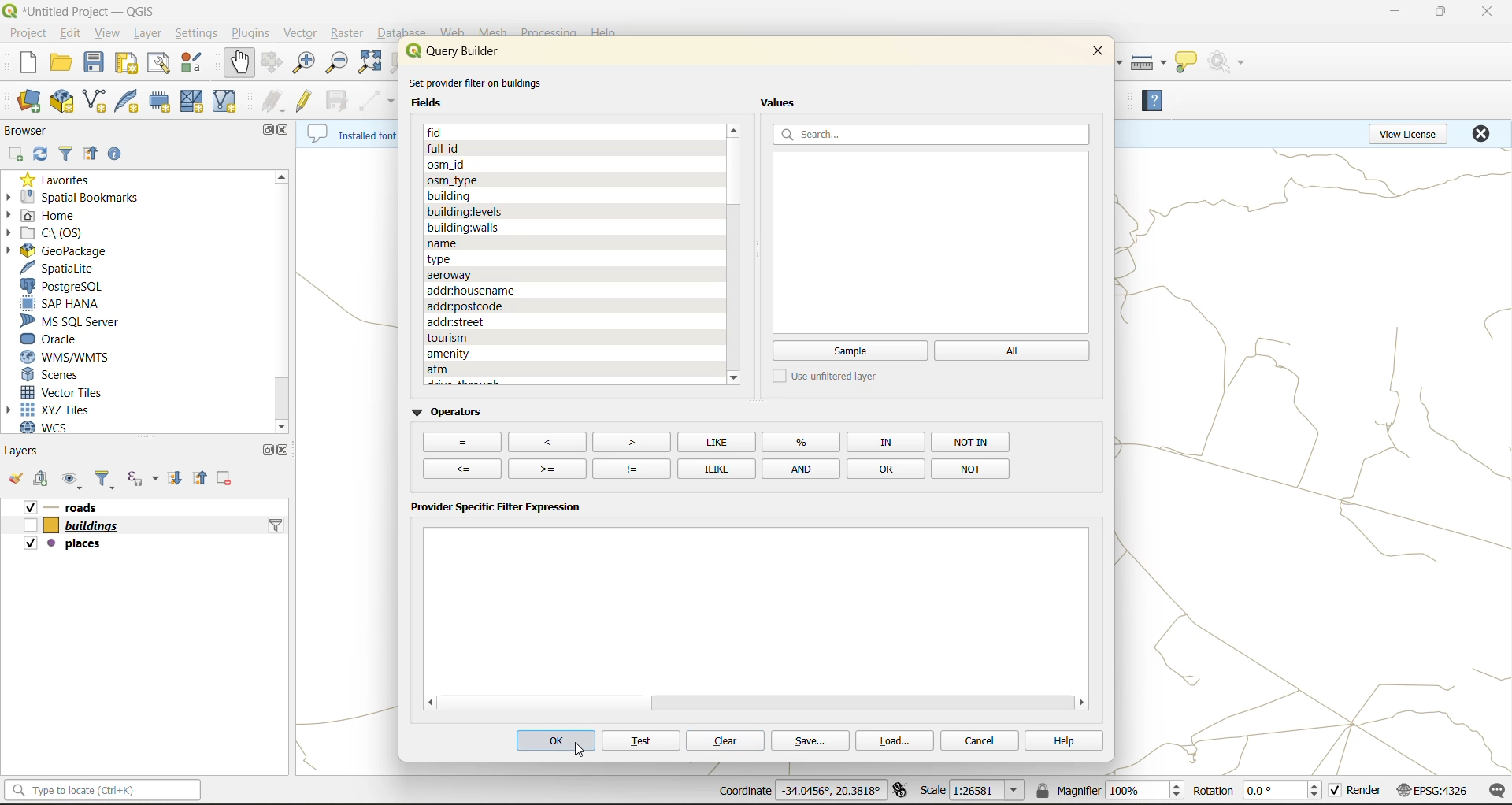 This screenshot has width=1512, height=805. Describe the element at coordinates (198, 35) in the screenshot. I see `settings` at that location.